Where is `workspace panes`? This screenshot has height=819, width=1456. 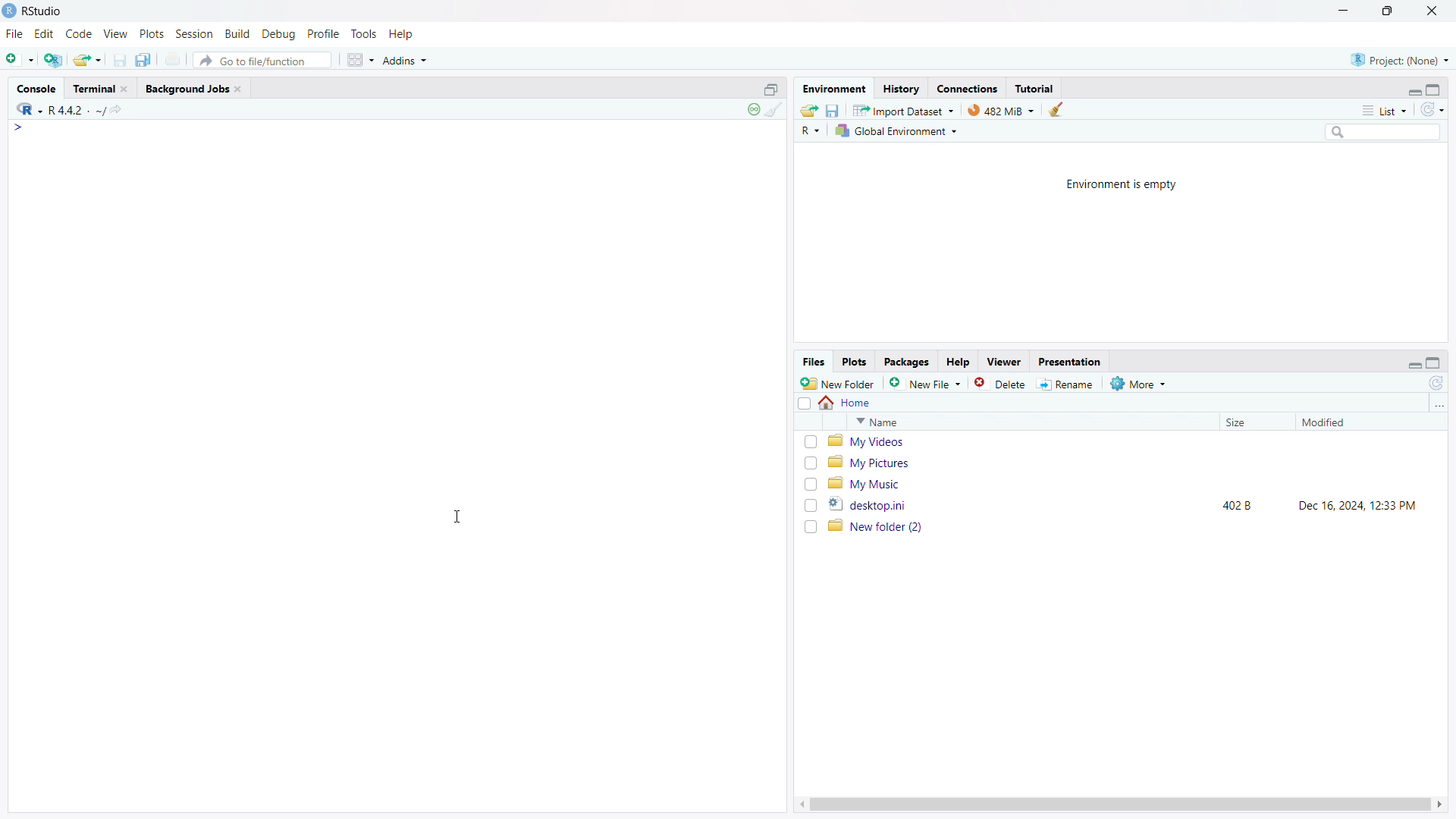 workspace panes is located at coordinates (359, 60).